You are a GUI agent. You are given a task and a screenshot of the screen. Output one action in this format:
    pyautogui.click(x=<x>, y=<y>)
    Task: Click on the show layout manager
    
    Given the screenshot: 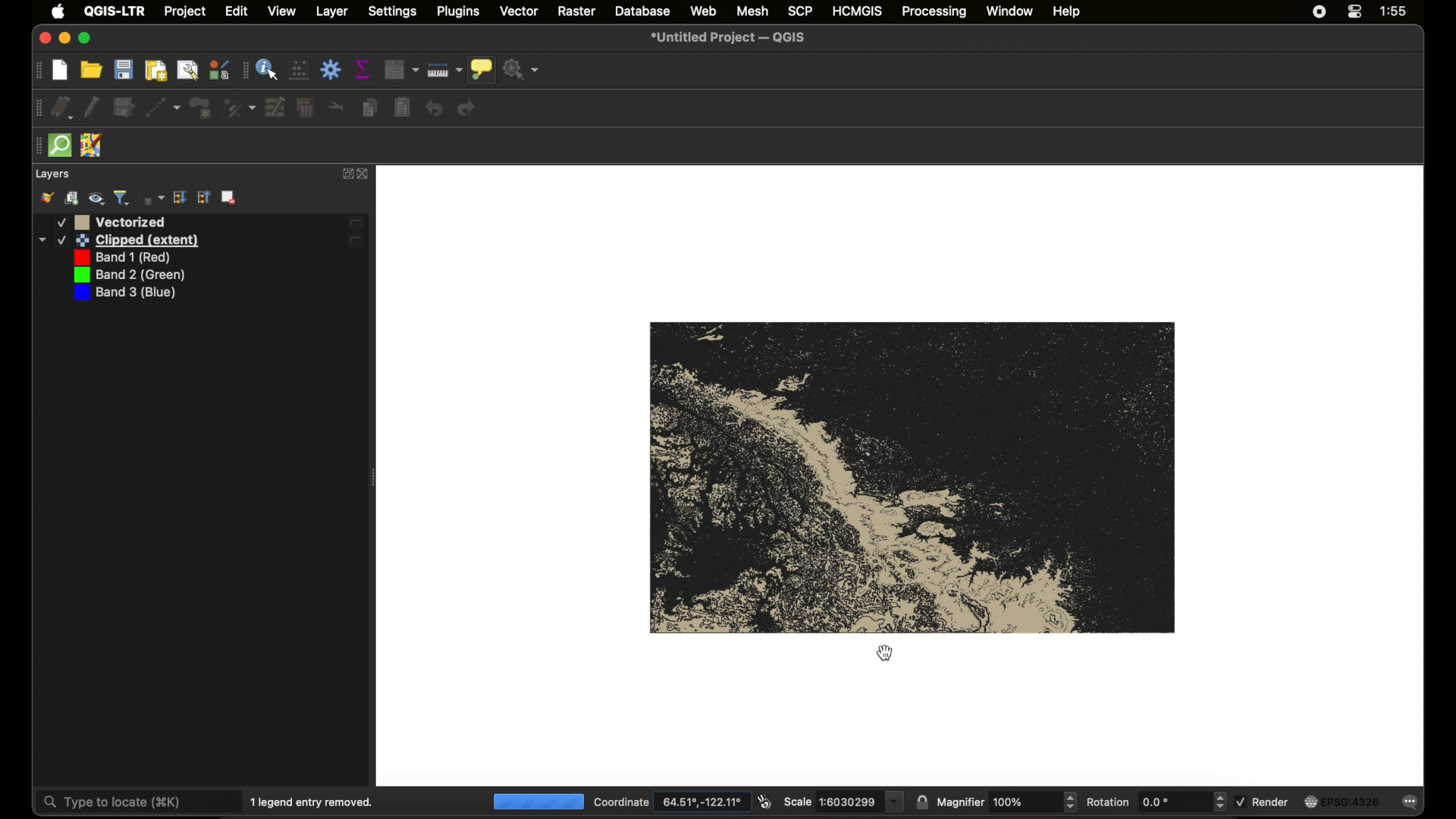 What is the action you would take?
    pyautogui.click(x=188, y=71)
    